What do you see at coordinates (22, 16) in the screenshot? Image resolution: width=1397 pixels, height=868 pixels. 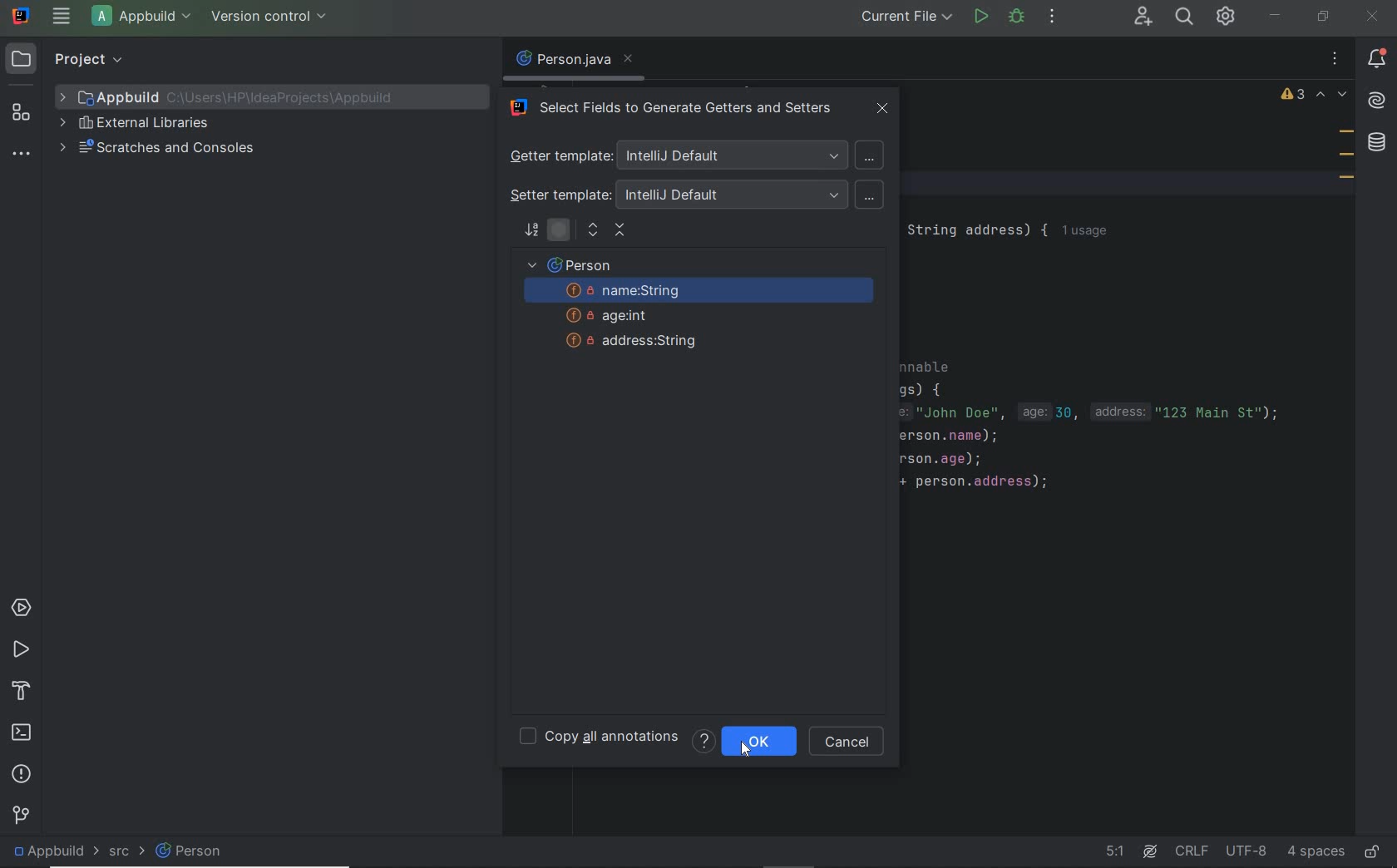 I see `system name` at bounding box center [22, 16].